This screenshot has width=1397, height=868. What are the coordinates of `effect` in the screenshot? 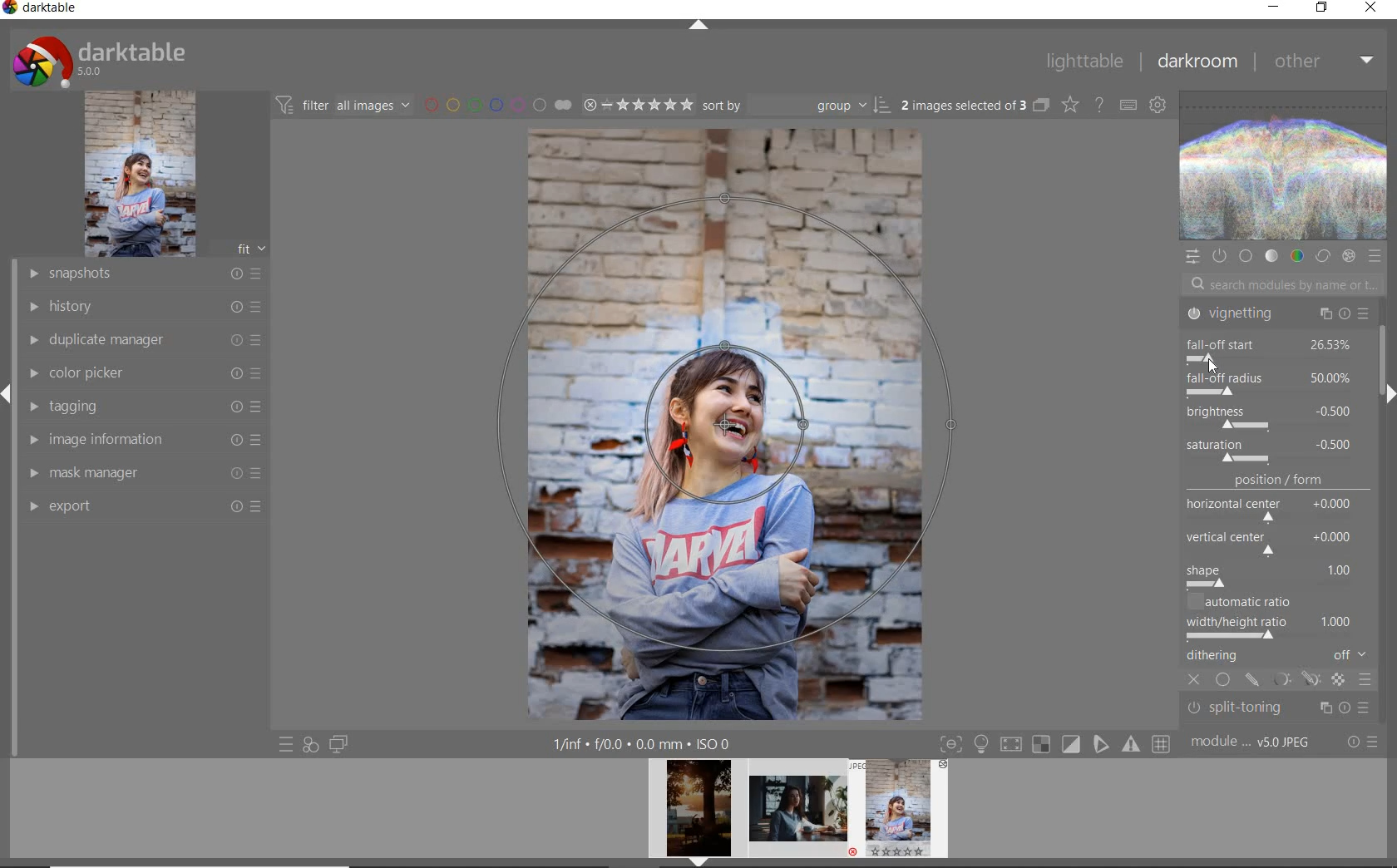 It's located at (1348, 256).